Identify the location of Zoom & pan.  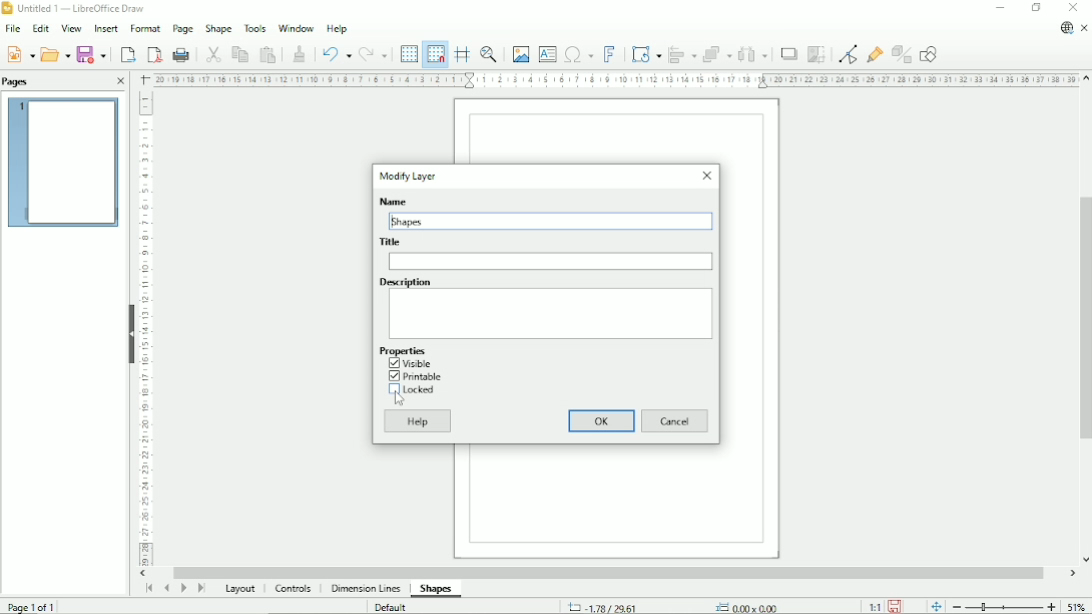
(487, 52).